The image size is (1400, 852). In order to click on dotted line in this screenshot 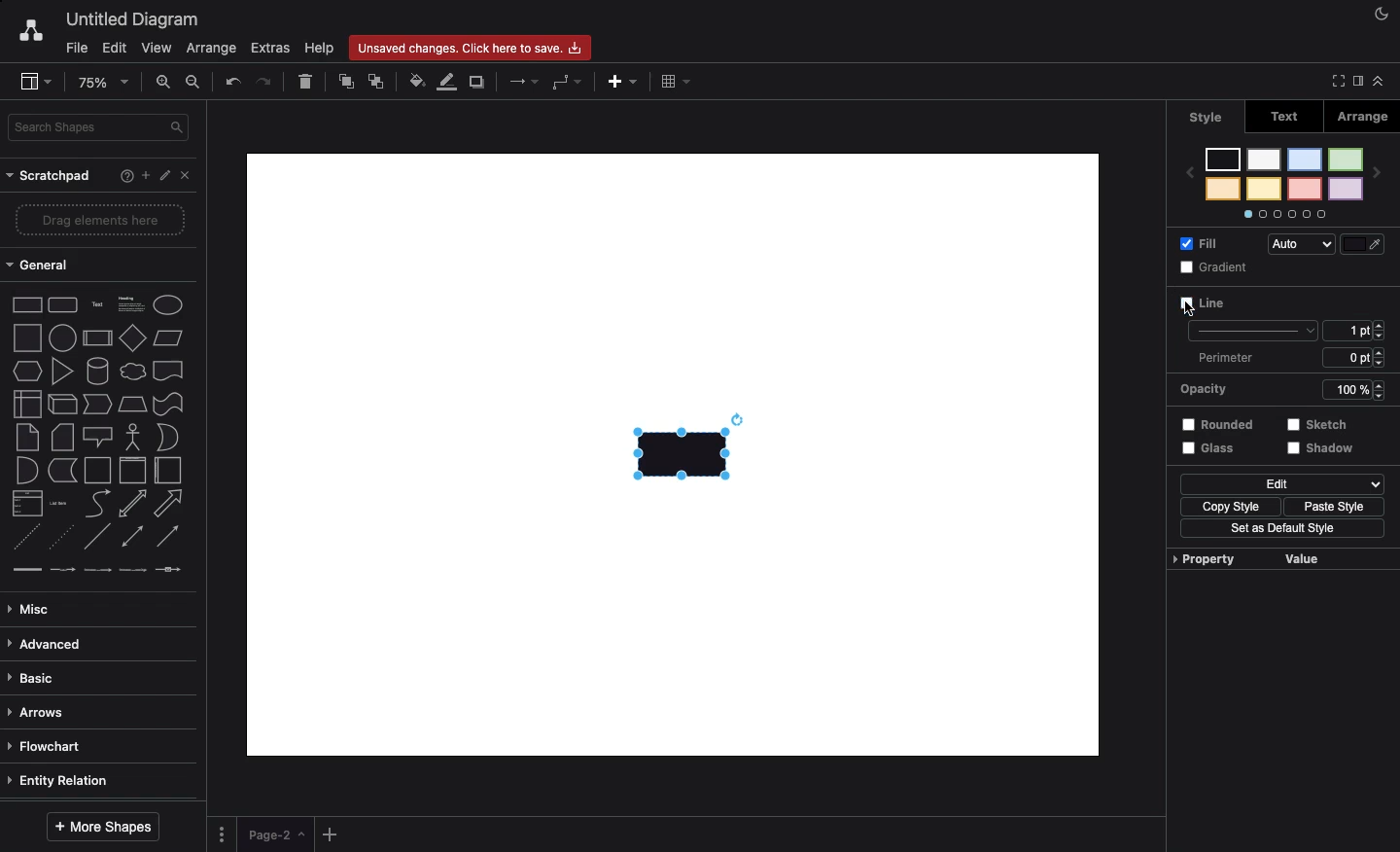, I will do `click(61, 538)`.